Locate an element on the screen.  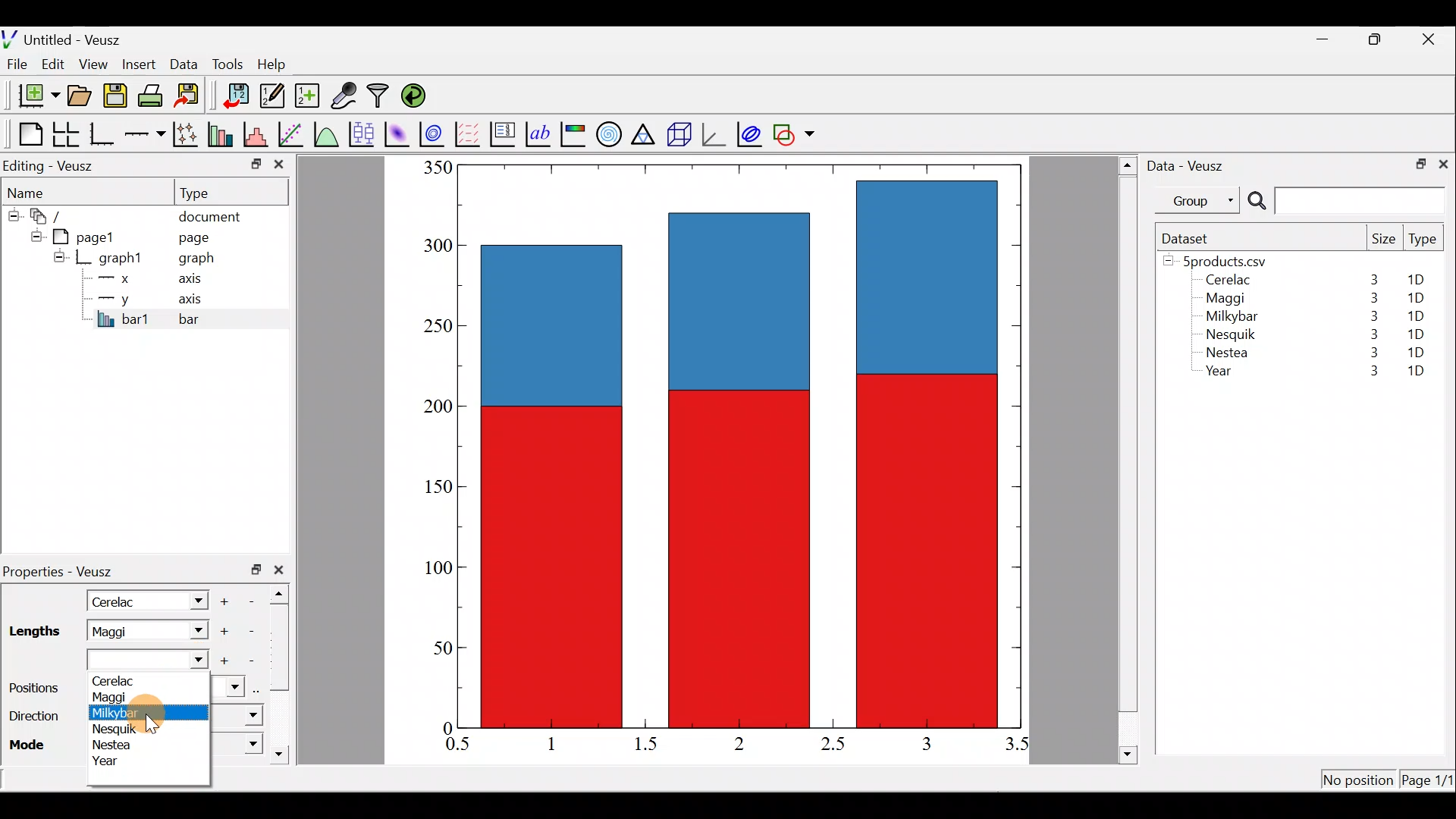
350 is located at coordinates (437, 167).